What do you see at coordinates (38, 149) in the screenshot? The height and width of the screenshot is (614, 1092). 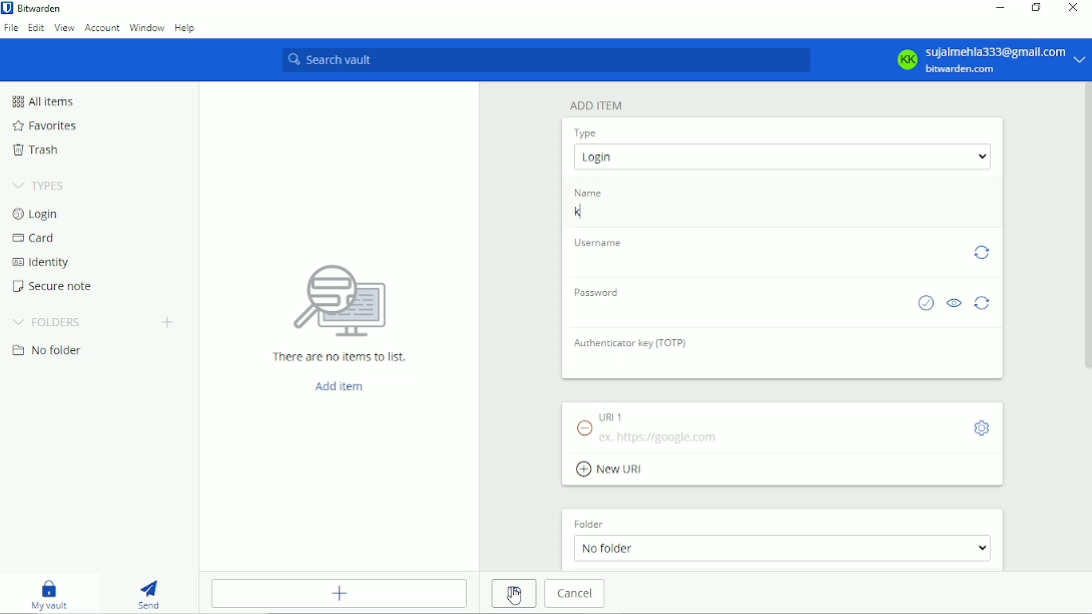 I see `Trash` at bounding box center [38, 149].